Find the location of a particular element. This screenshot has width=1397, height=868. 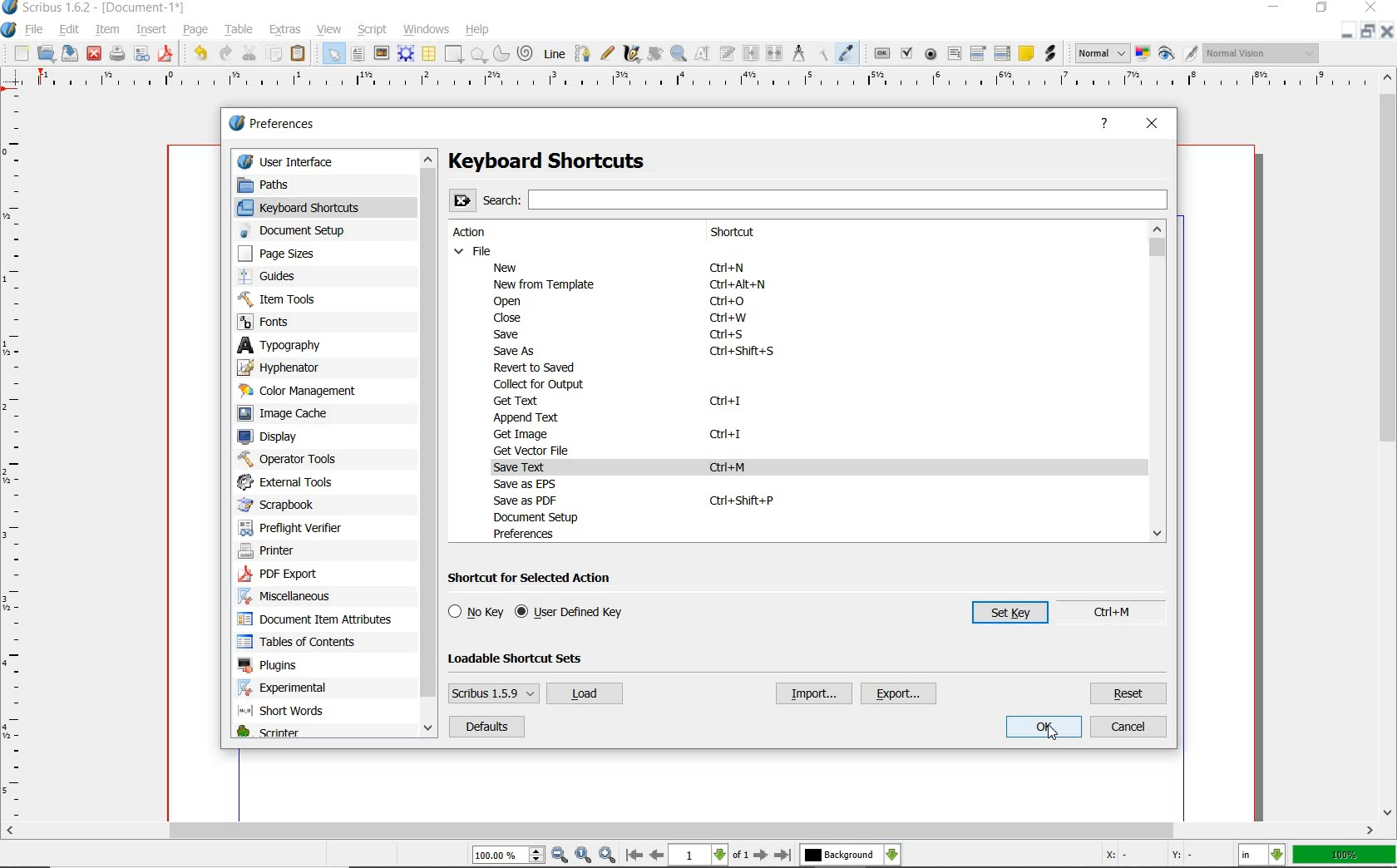

link text frames is located at coordinates (753, 53).